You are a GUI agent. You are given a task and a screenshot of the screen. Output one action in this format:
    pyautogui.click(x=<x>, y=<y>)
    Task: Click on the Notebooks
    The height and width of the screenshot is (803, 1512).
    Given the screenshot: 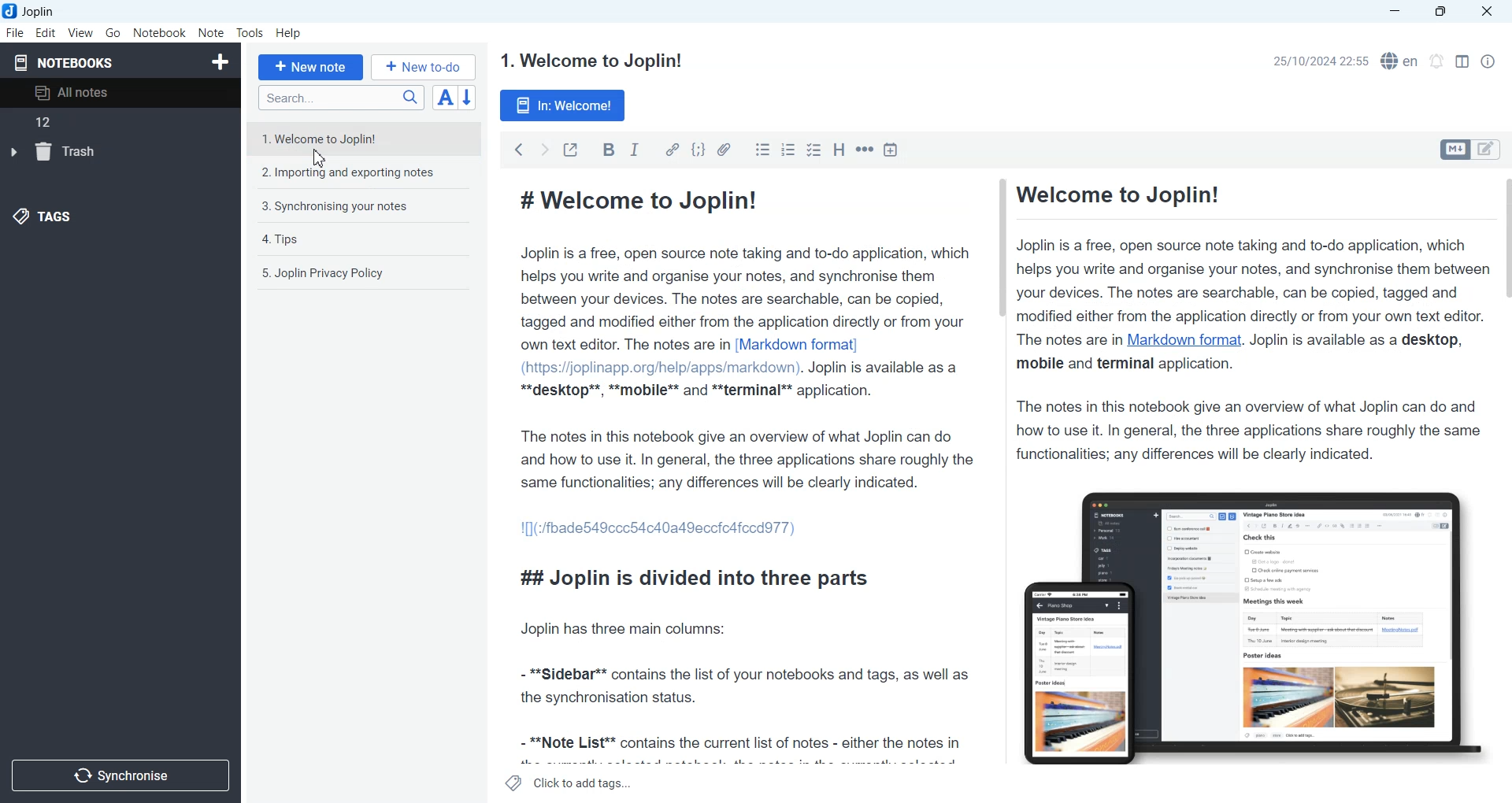 What is the action you would take?
    pyautogui.click(x=64, y=62)
    